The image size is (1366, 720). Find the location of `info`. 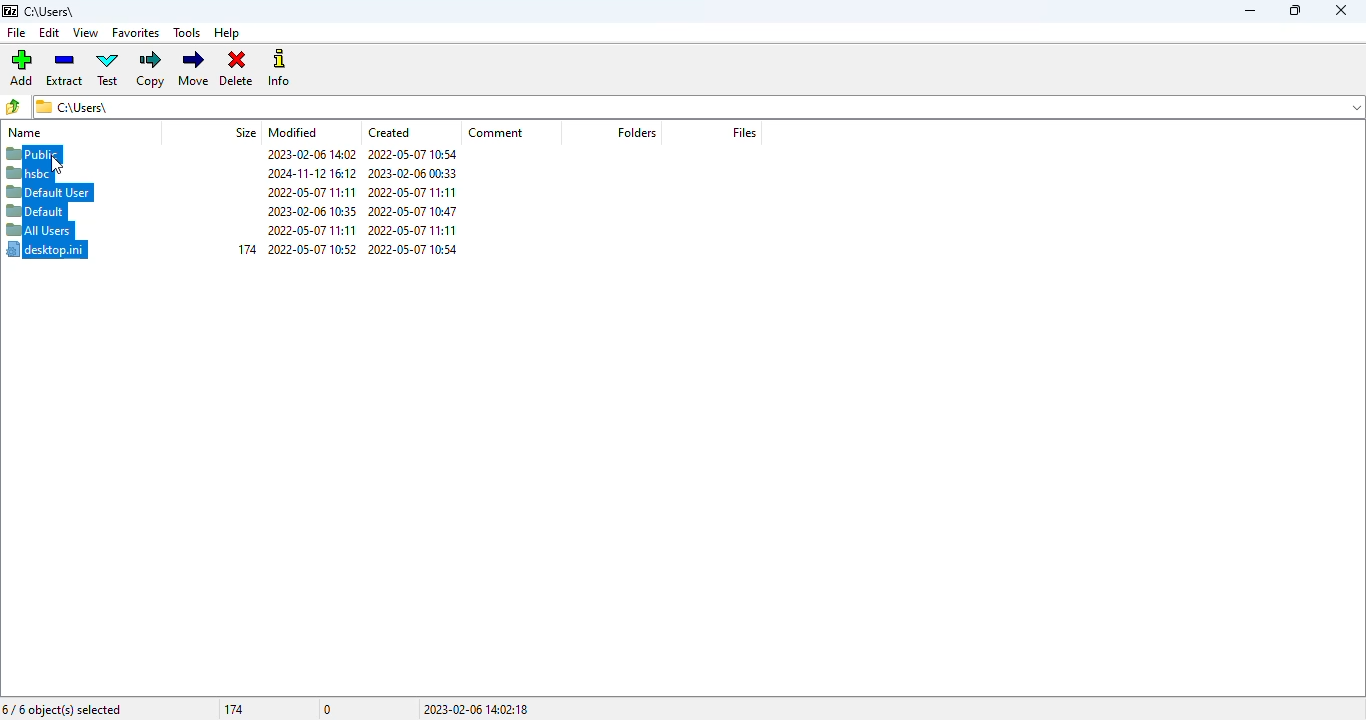

info is located at coordinates (281, 68).